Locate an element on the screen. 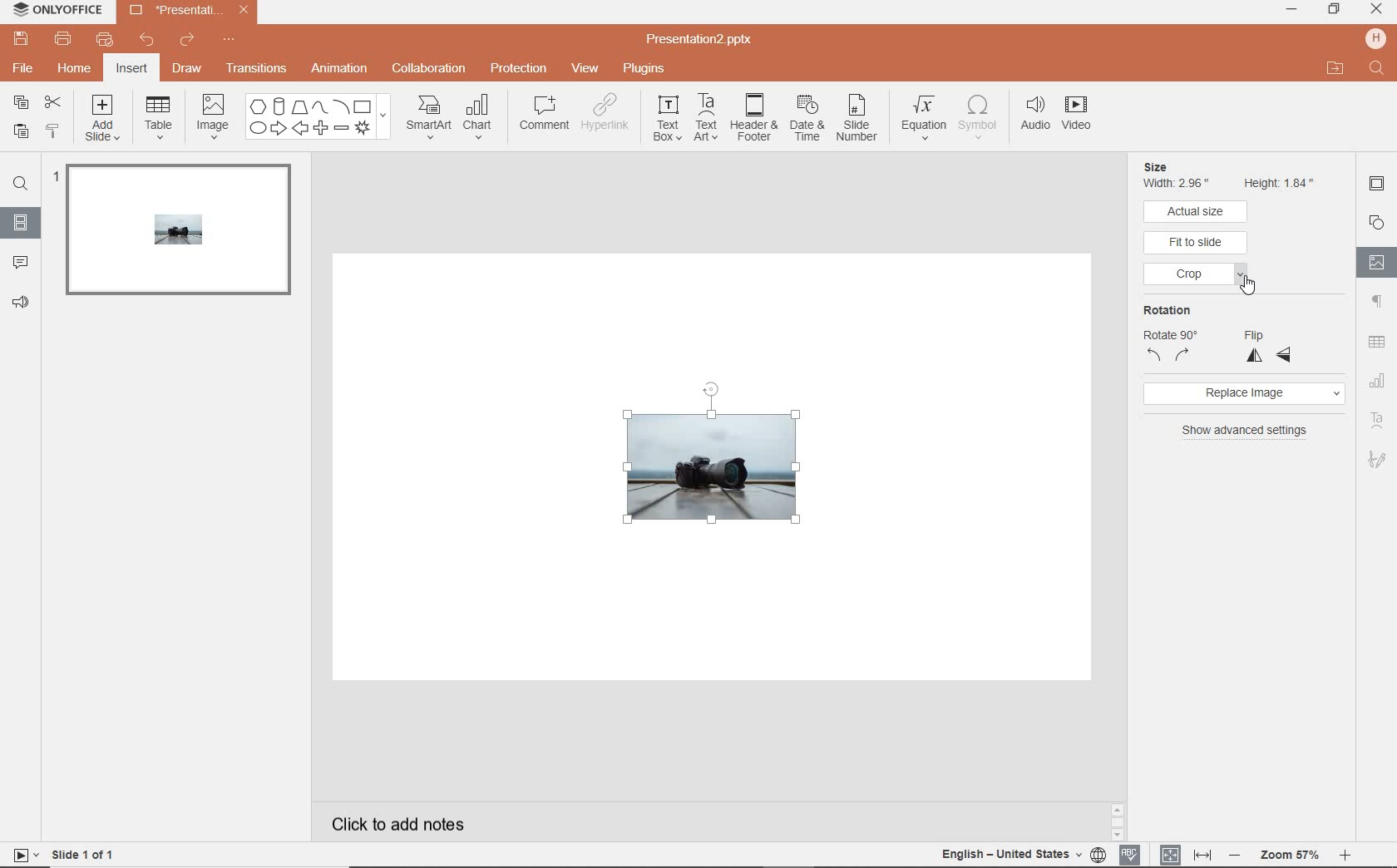 This screenshot has width=1397, height=868. chart is located at coordinates (1379, 379).